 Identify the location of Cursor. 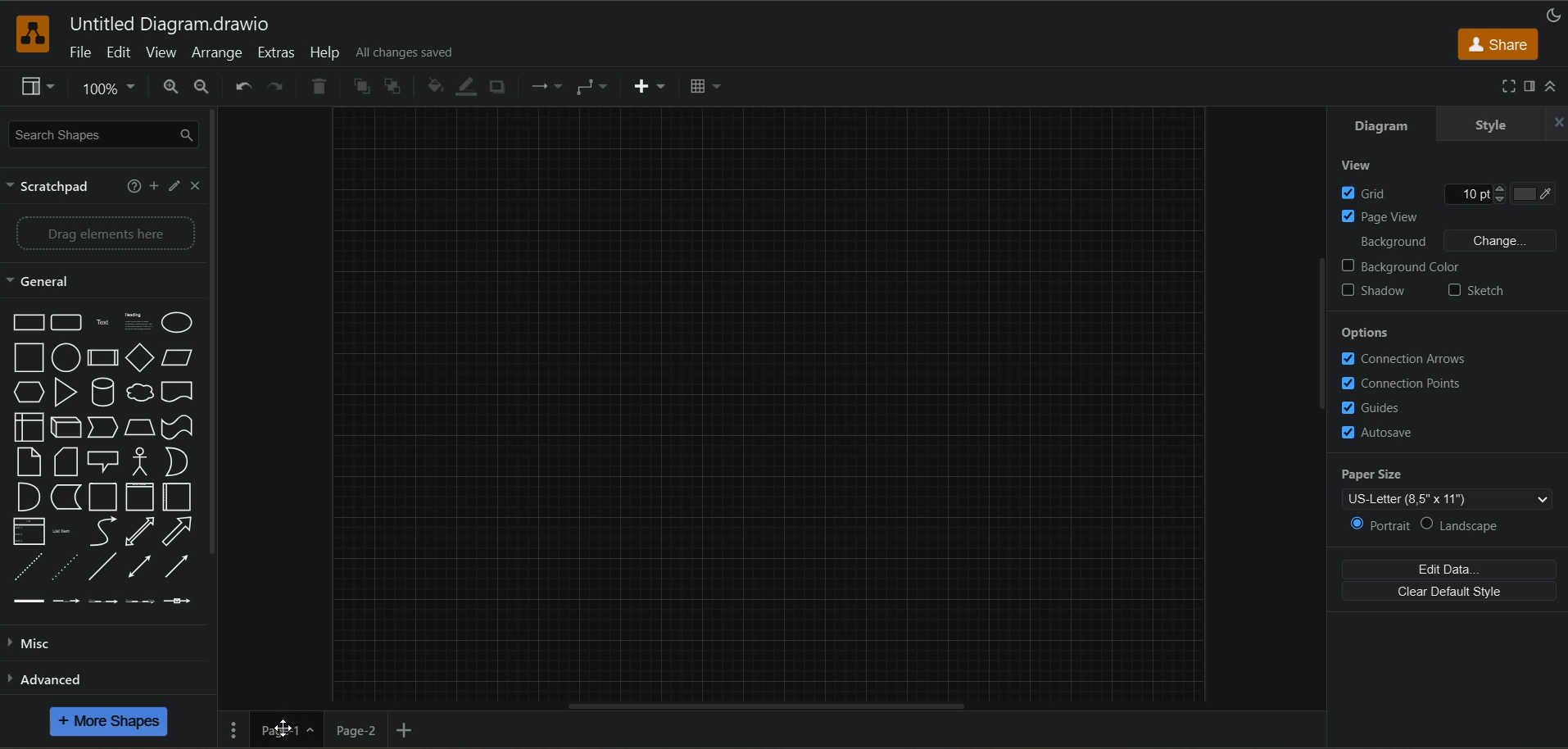
(284, 727).